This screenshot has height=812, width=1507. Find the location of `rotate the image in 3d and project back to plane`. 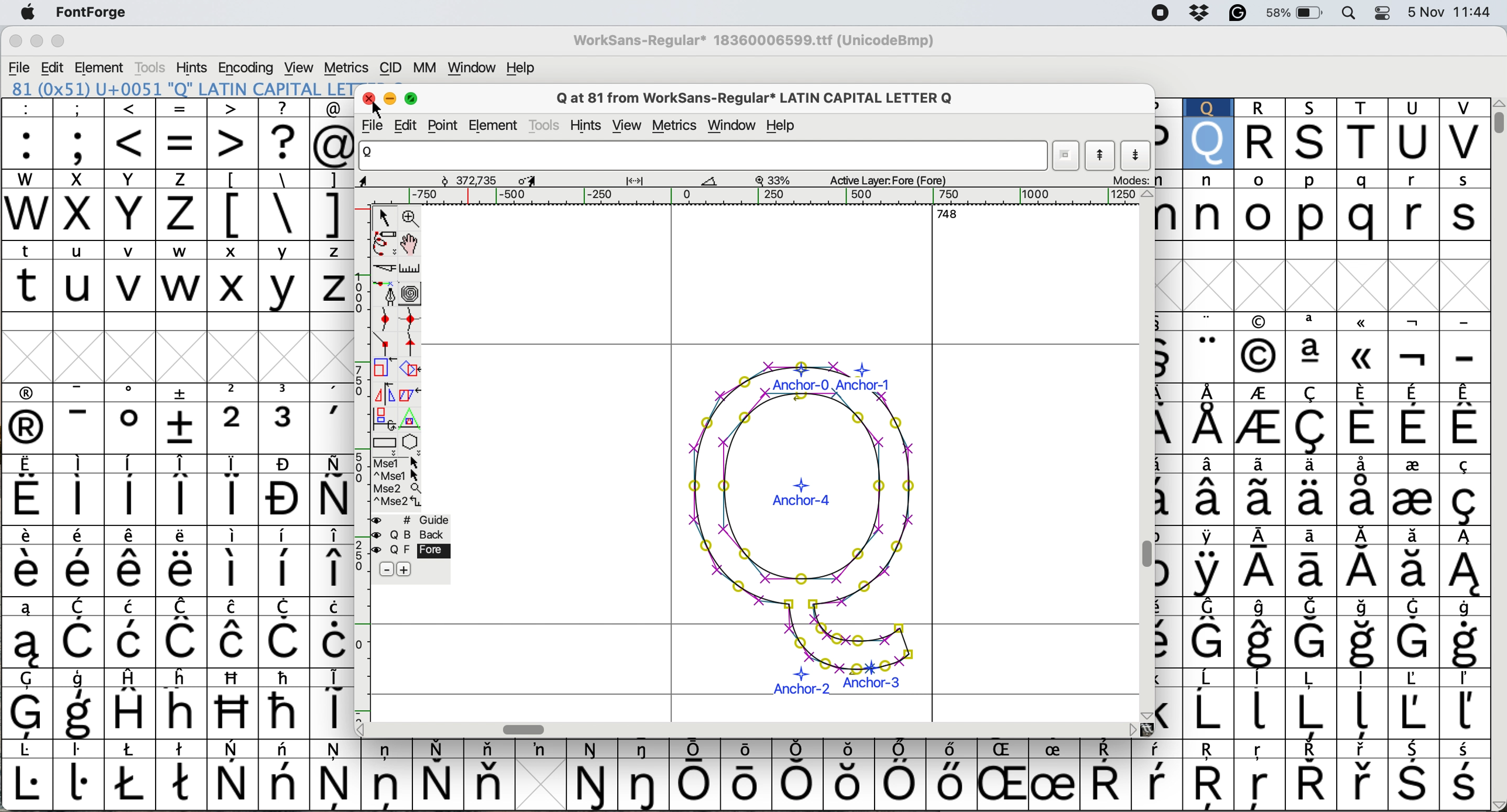

rotate the image in 3d and project back to plane is located at coordinates (383, 420).